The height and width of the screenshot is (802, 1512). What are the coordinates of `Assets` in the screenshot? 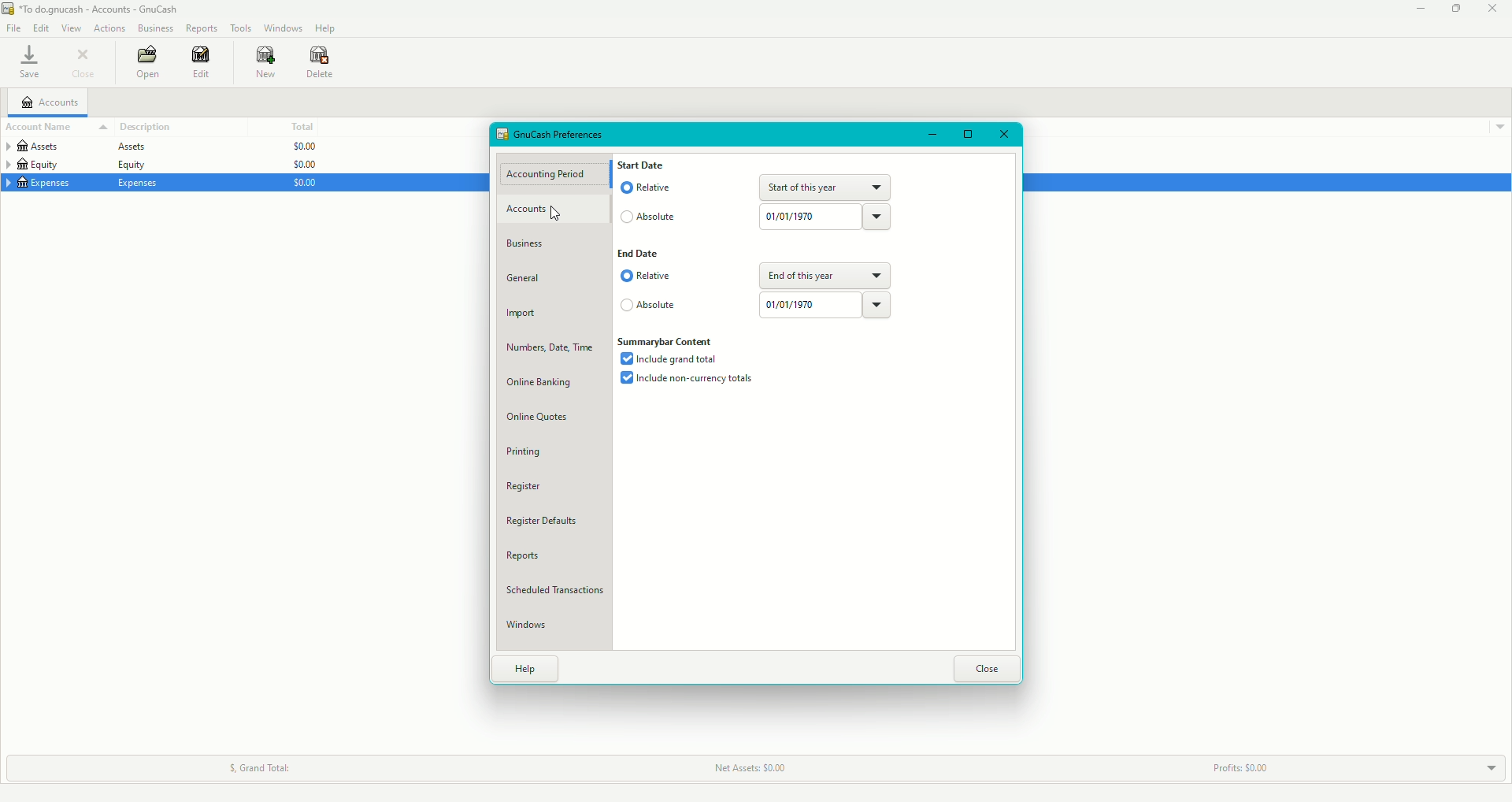 It's located at (74, 149).